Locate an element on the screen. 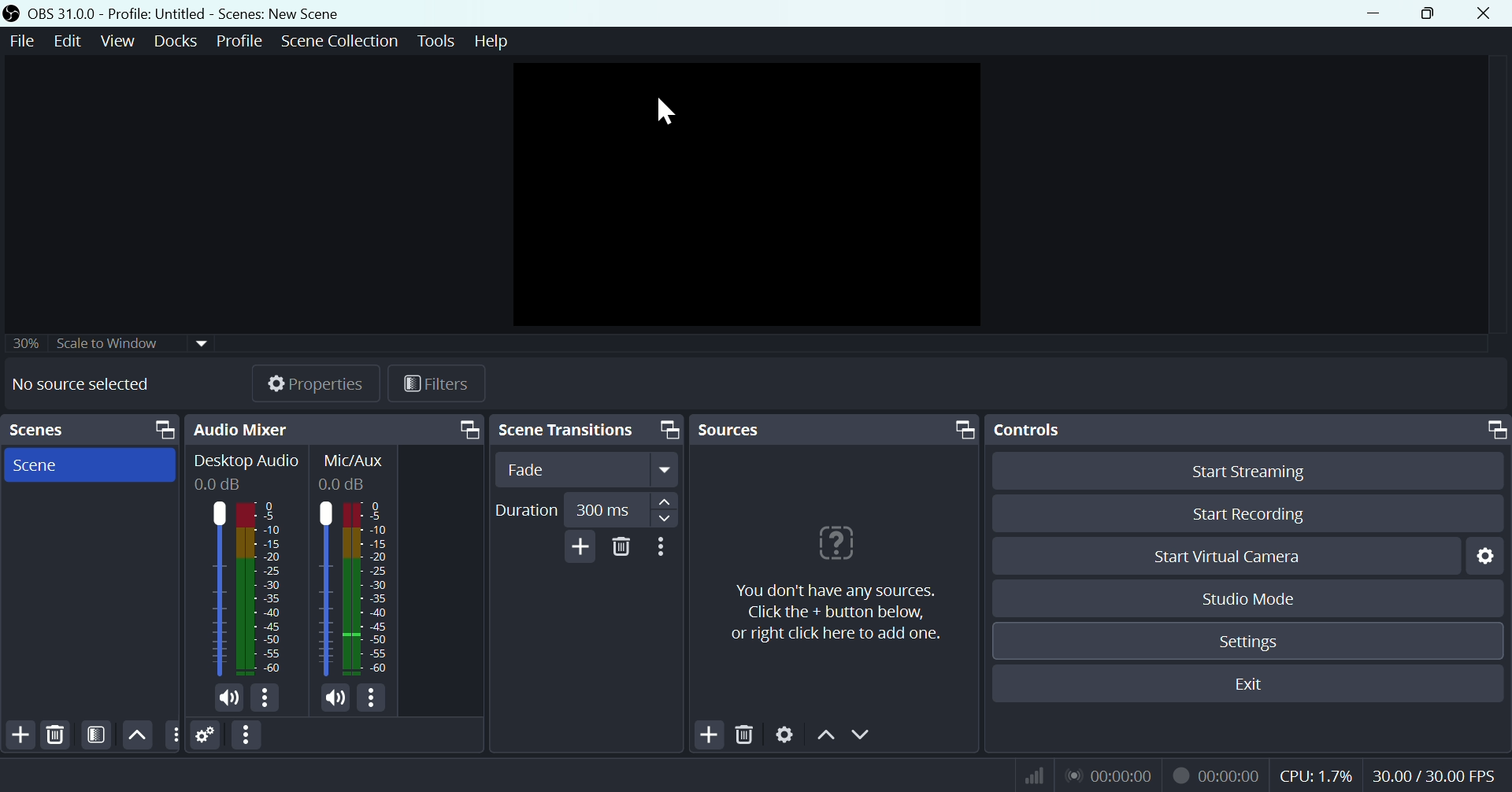 The image size is (1512, 792). View is located at coordinates (120, 39).